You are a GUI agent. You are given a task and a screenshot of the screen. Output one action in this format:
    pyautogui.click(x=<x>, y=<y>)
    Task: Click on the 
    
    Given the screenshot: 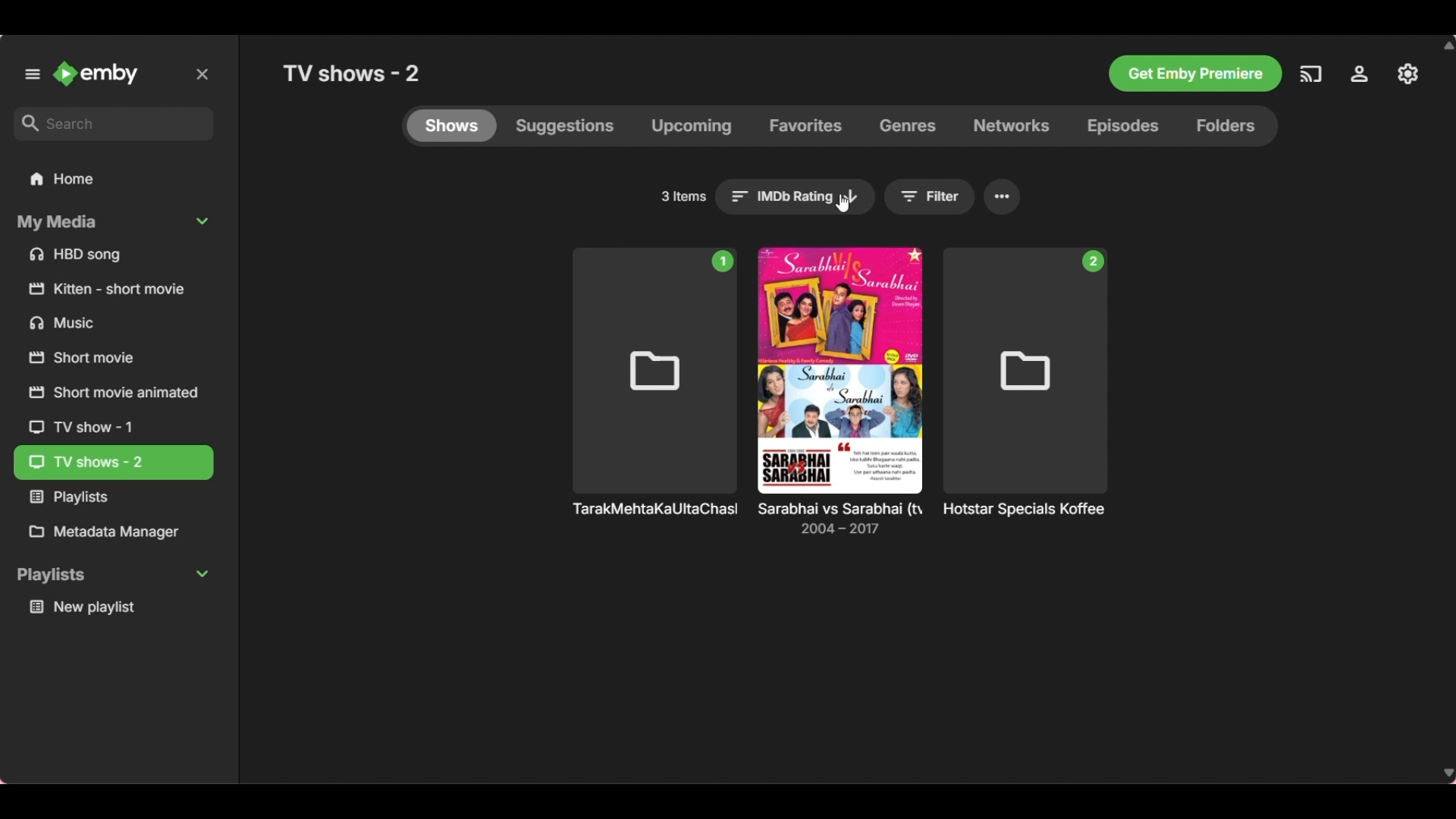 What is the action you would take?
    pyautogui.click(x=106, y=290)
    